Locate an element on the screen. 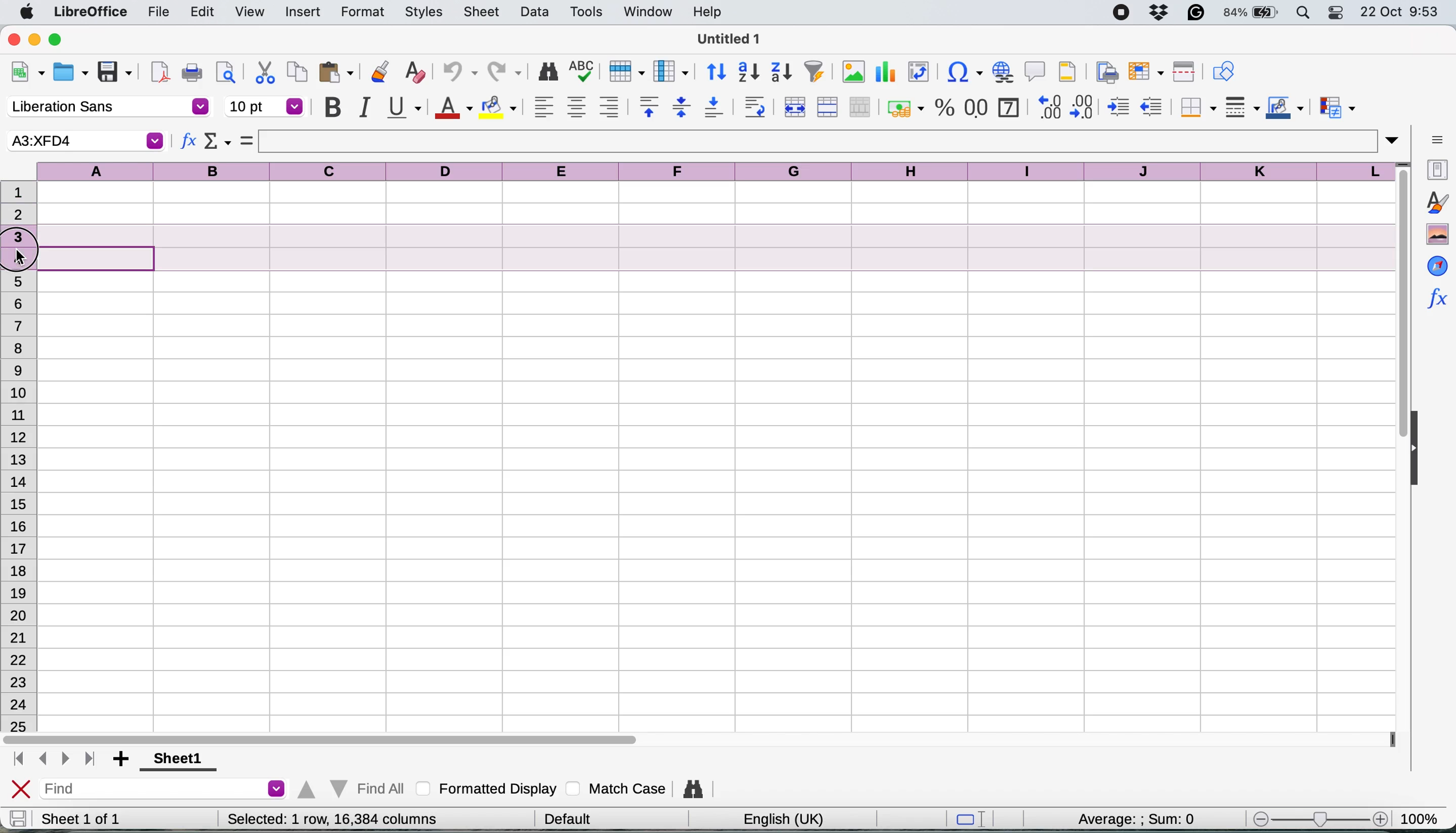 This screenshot has width=1456, height=833. data is located at coordinates (537, 11).